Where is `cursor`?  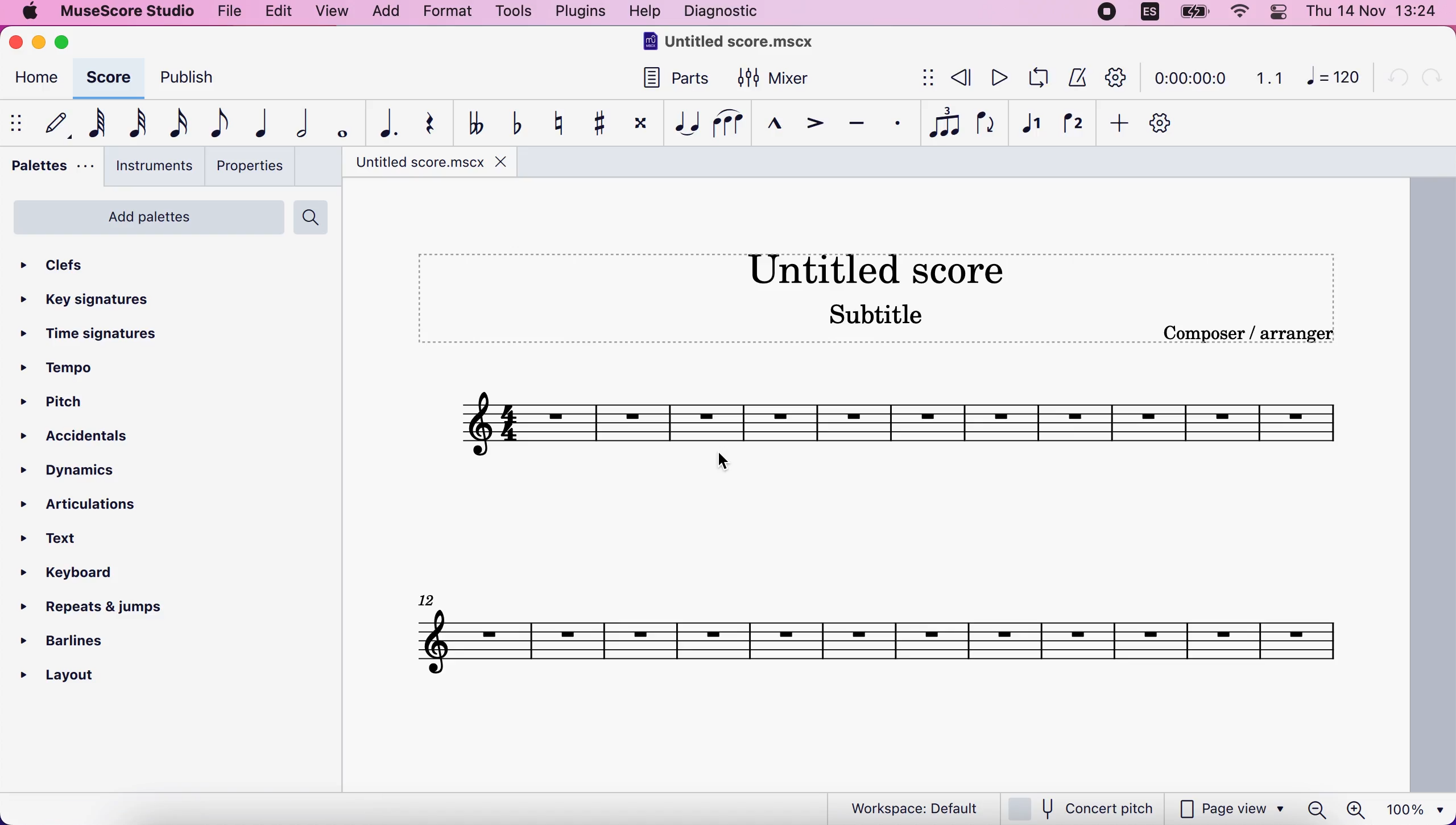 cursor is located at coordinates (721, 460).